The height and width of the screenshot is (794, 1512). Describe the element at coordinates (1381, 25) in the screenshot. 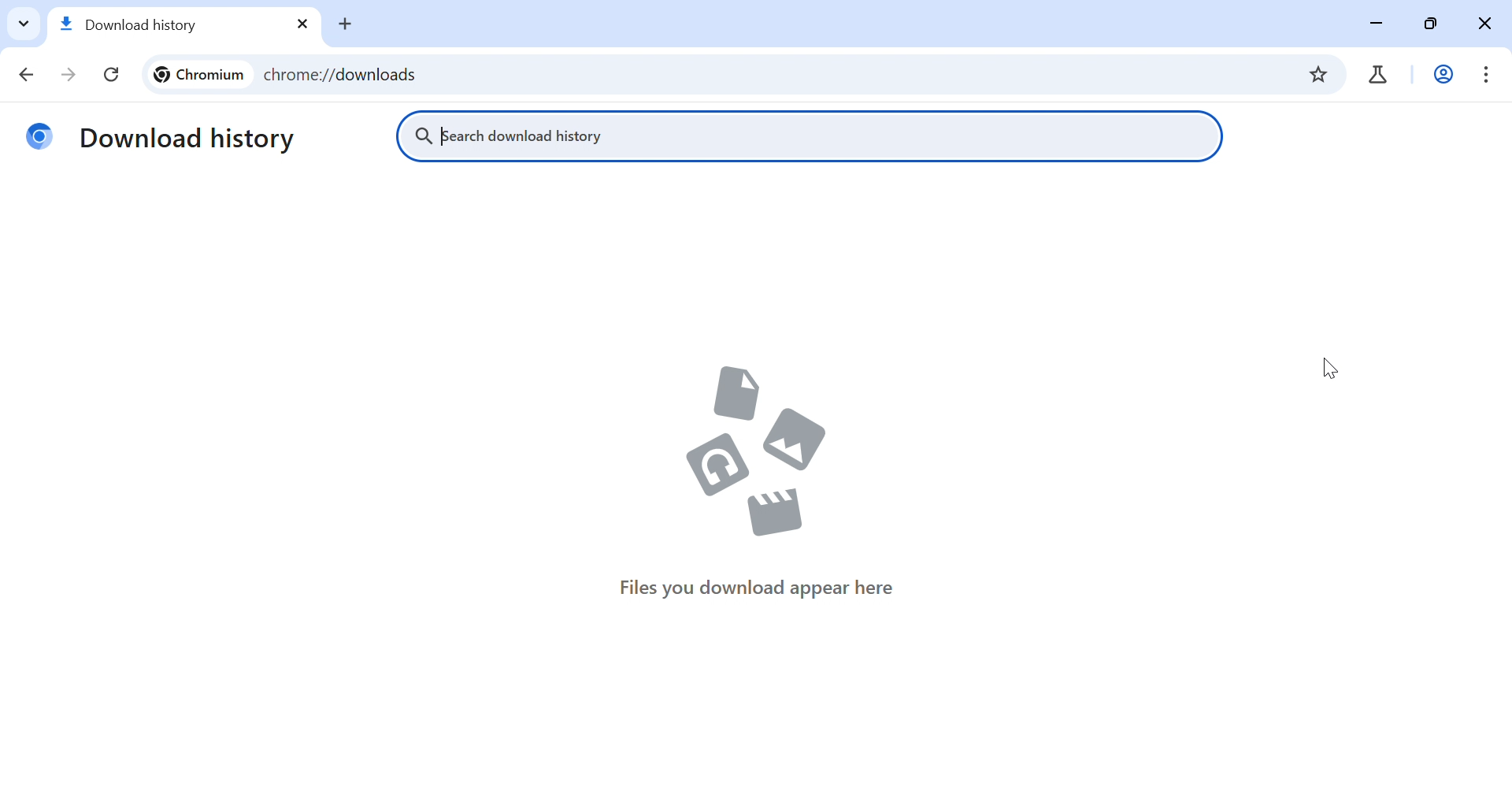

I see `Minimize` at that location.